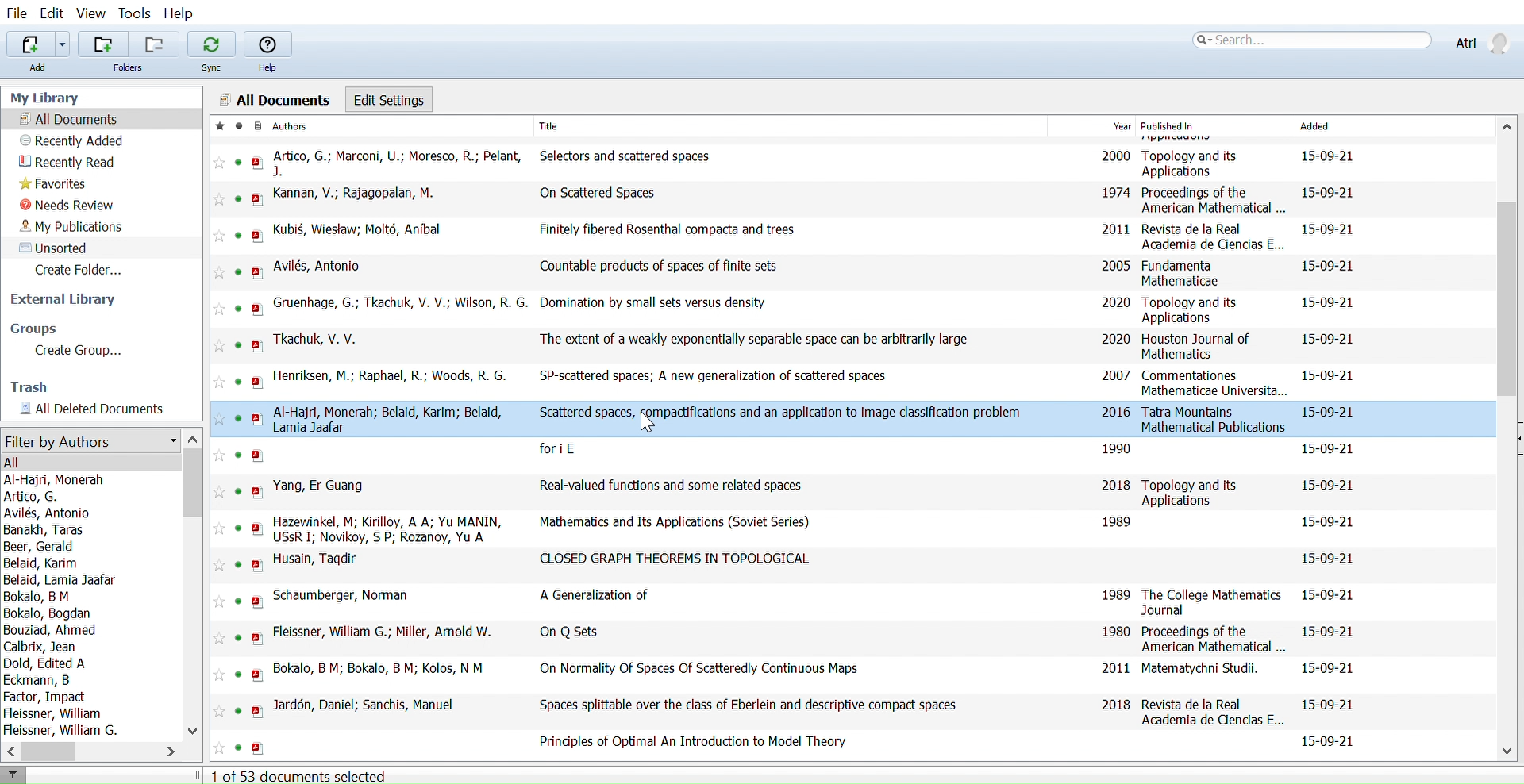  I want to click on reading status, so click(235, 674).